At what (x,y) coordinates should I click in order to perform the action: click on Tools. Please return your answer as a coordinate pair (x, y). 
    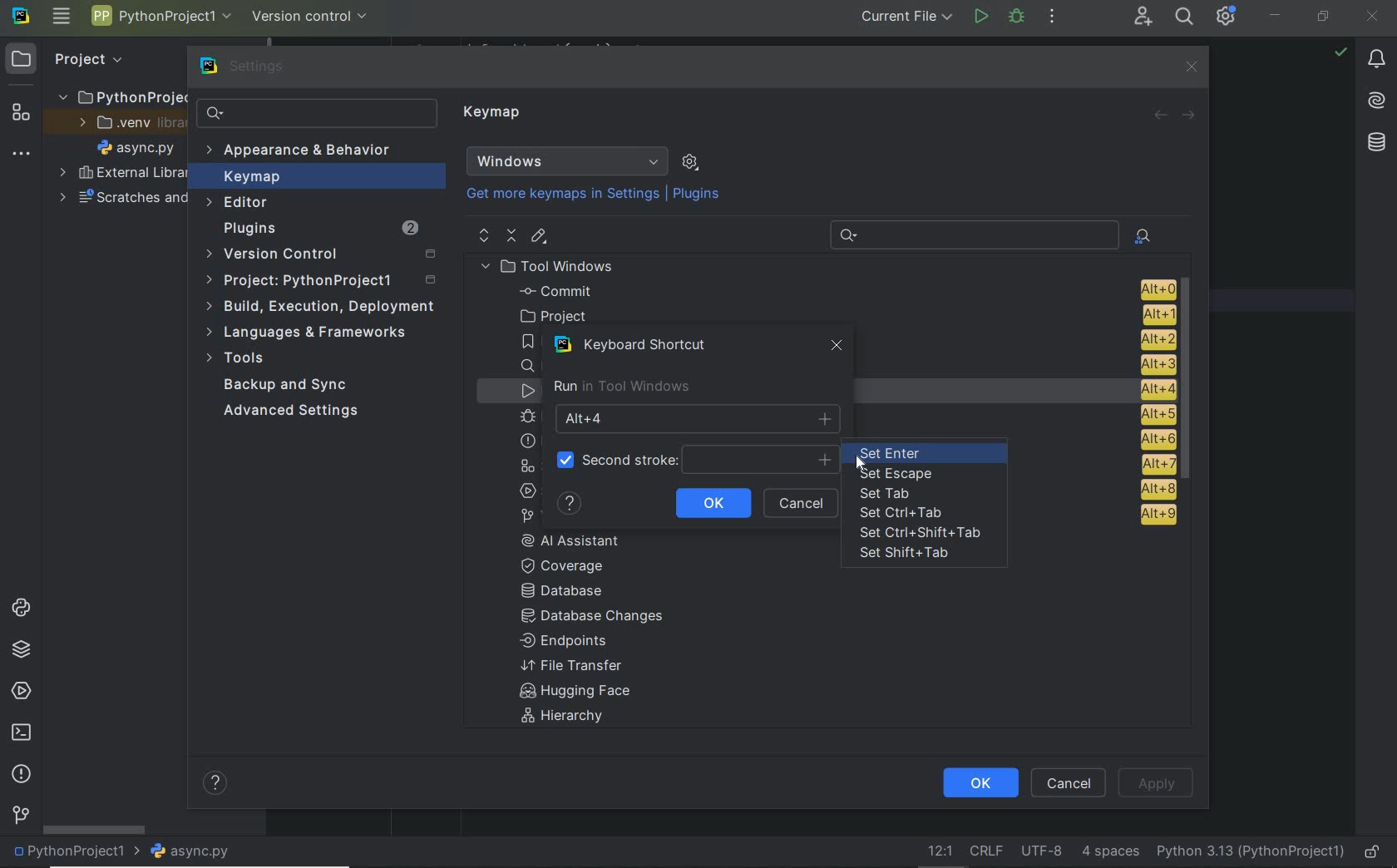
    Looking at the image, I should click on (239, 360).